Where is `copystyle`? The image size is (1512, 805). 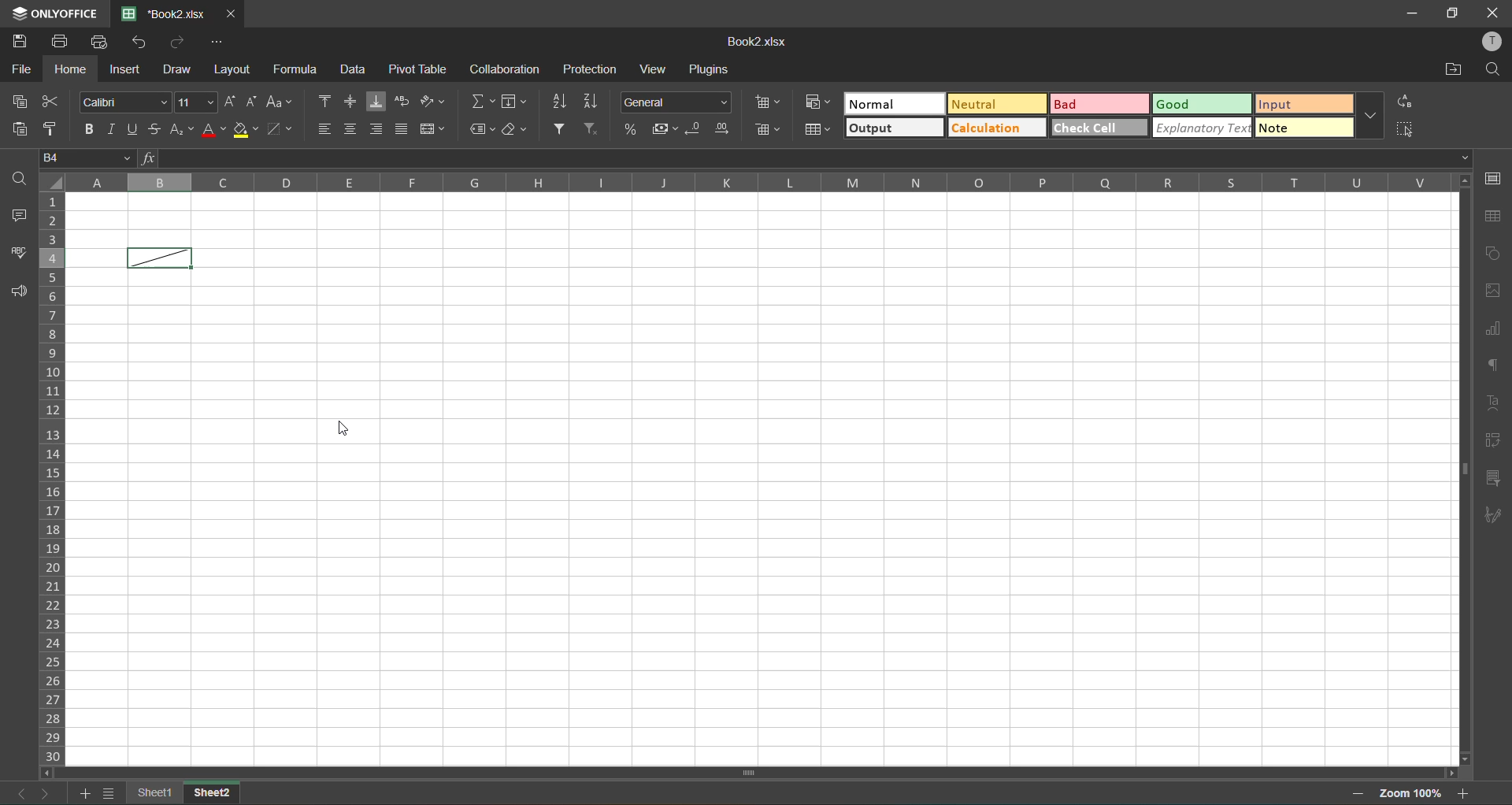 copystyle is located at coordinates (51, 124).